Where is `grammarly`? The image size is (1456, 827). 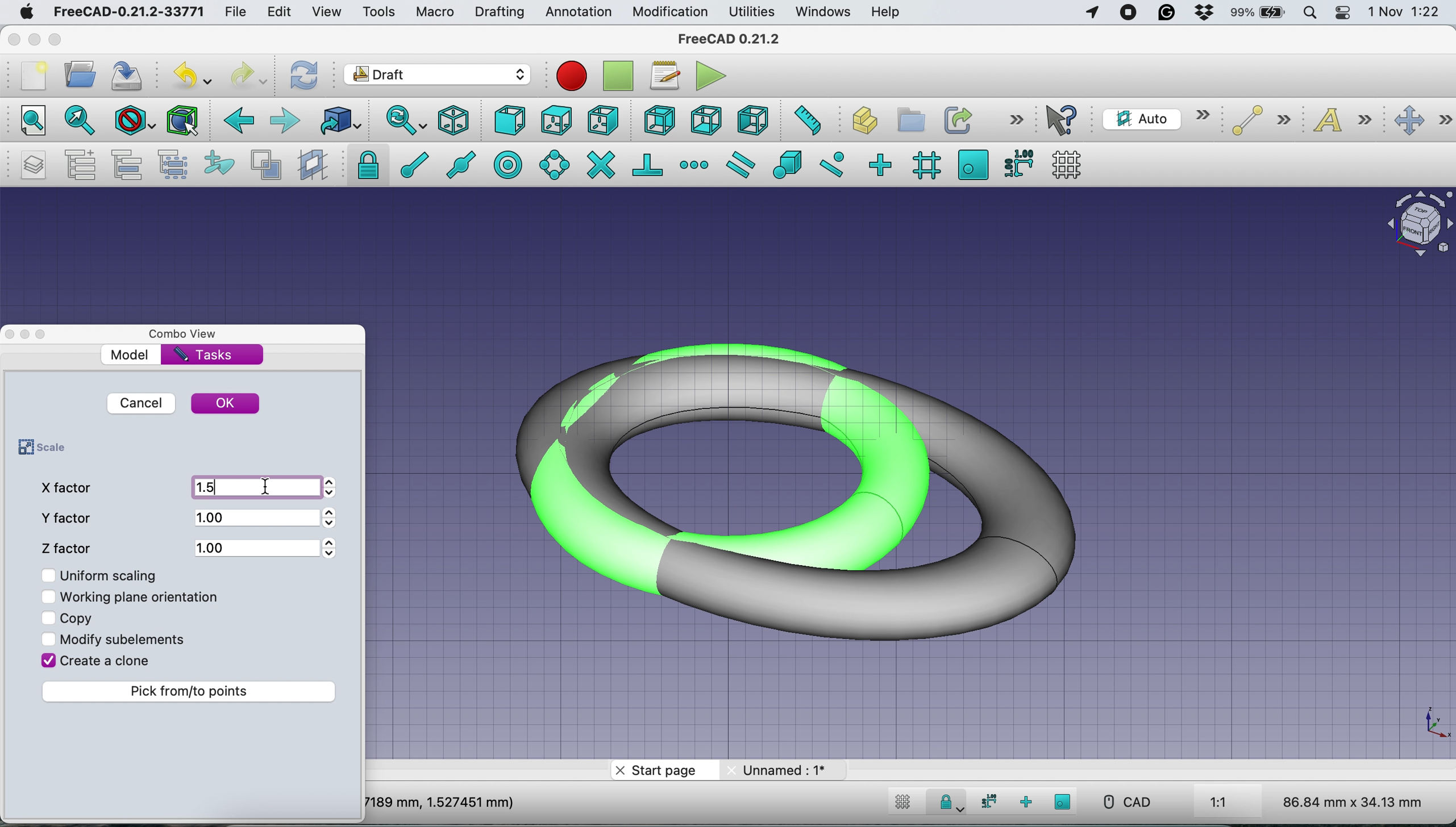 grammarly is located at coordinates (1165, 12).